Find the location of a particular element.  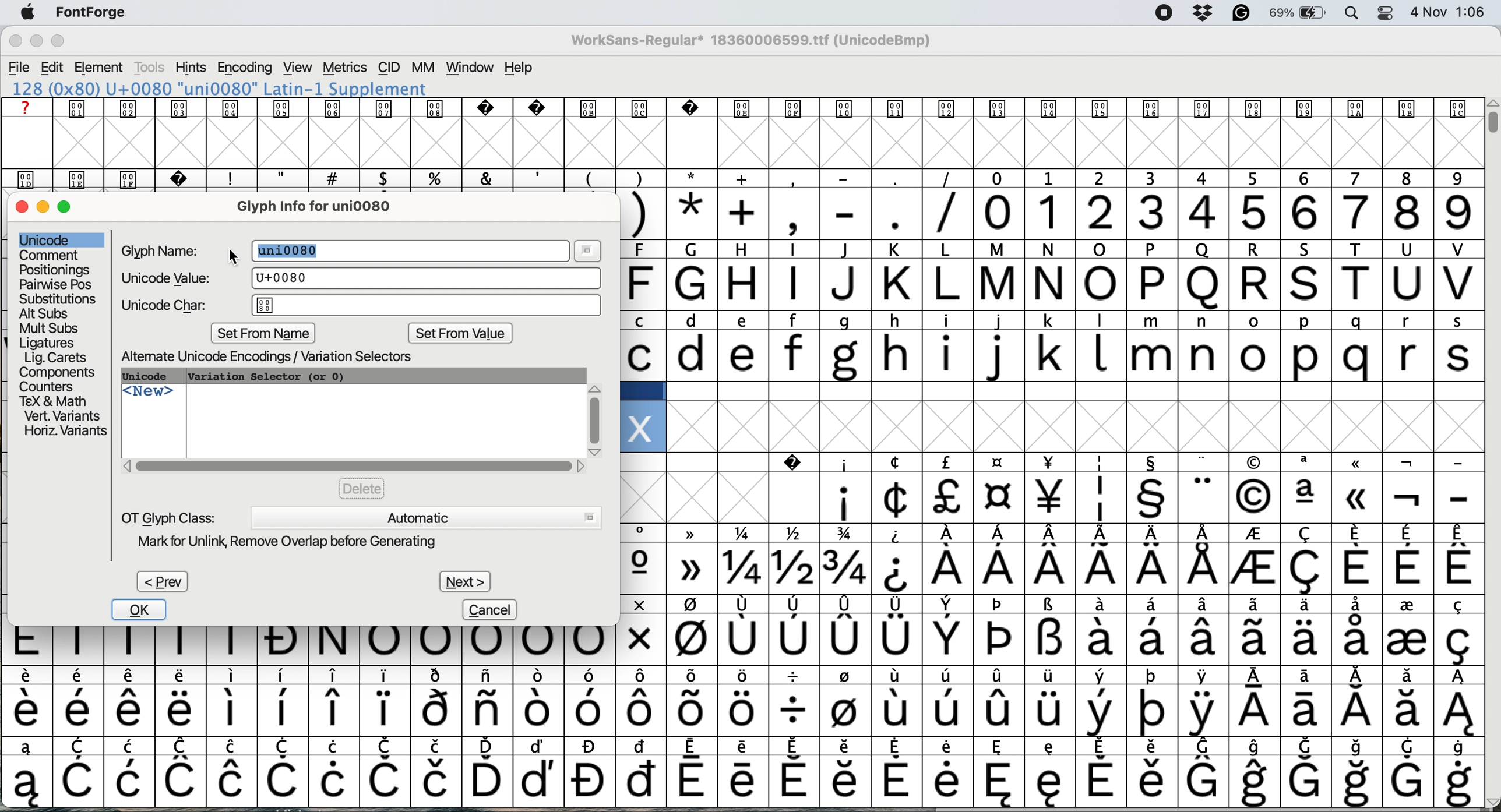

automatic is located at coordinates (425, 517).